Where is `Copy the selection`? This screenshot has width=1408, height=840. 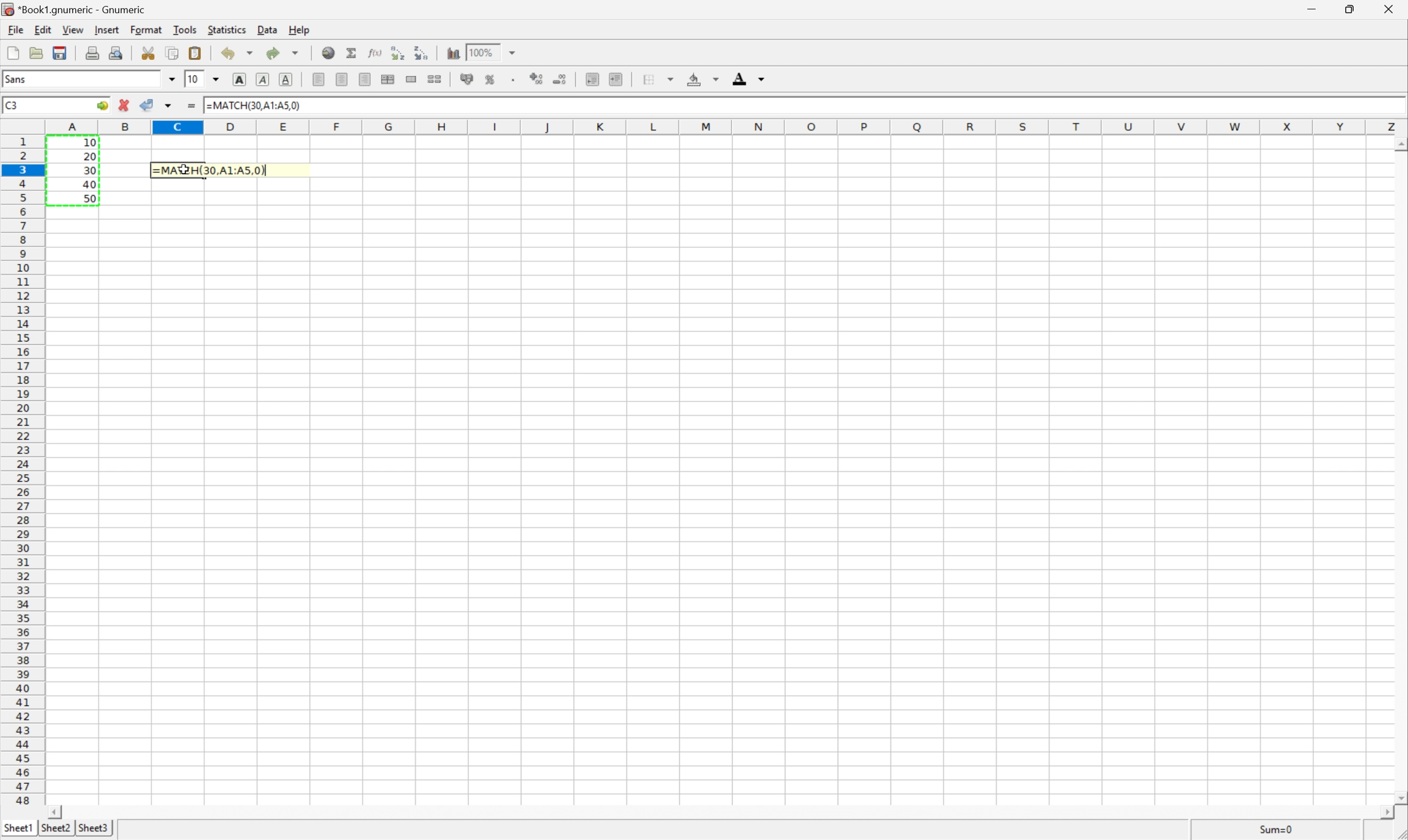 Copy the selection is located at coordinates (171, 54).